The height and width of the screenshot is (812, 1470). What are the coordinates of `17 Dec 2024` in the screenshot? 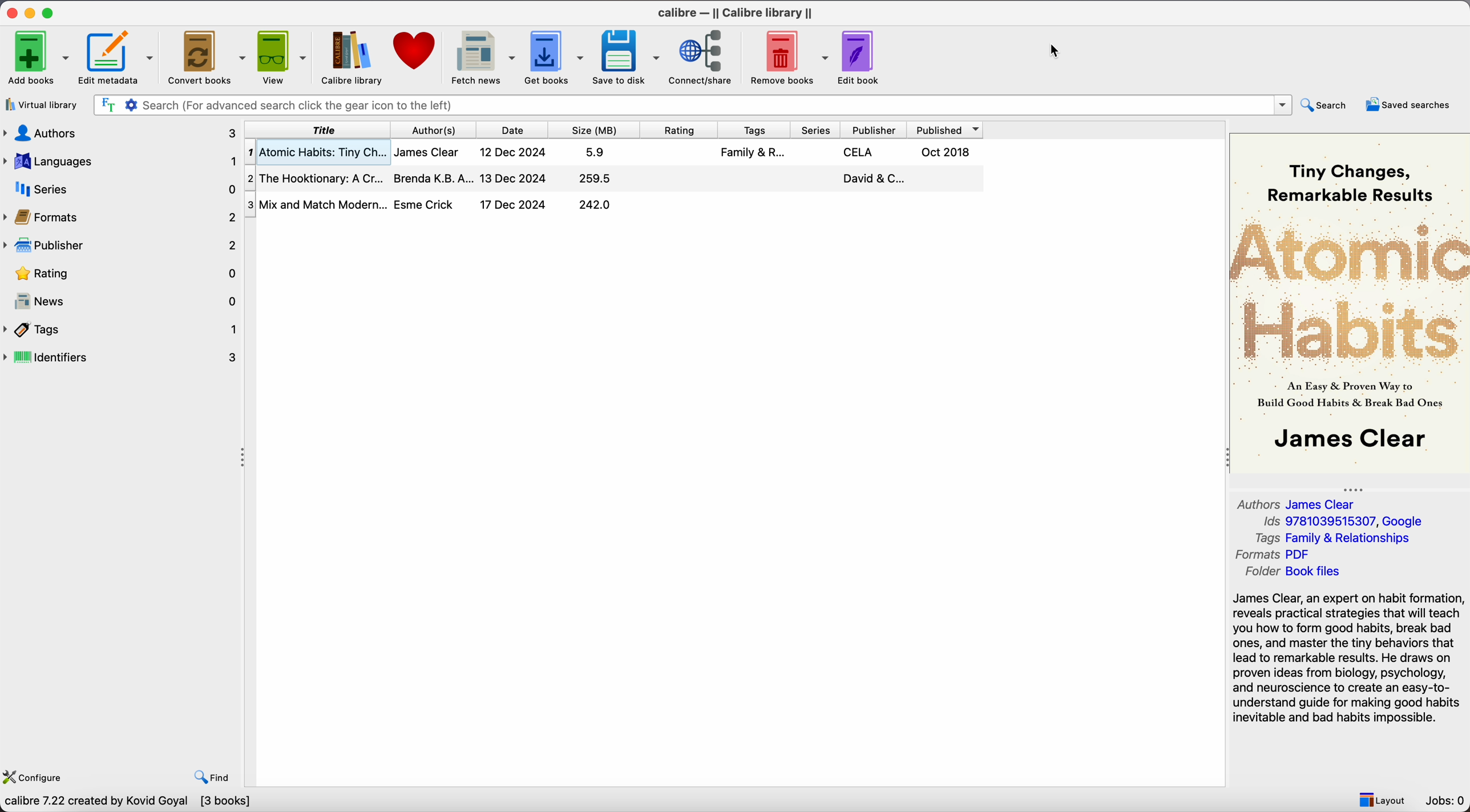 It's located at (512, 204).